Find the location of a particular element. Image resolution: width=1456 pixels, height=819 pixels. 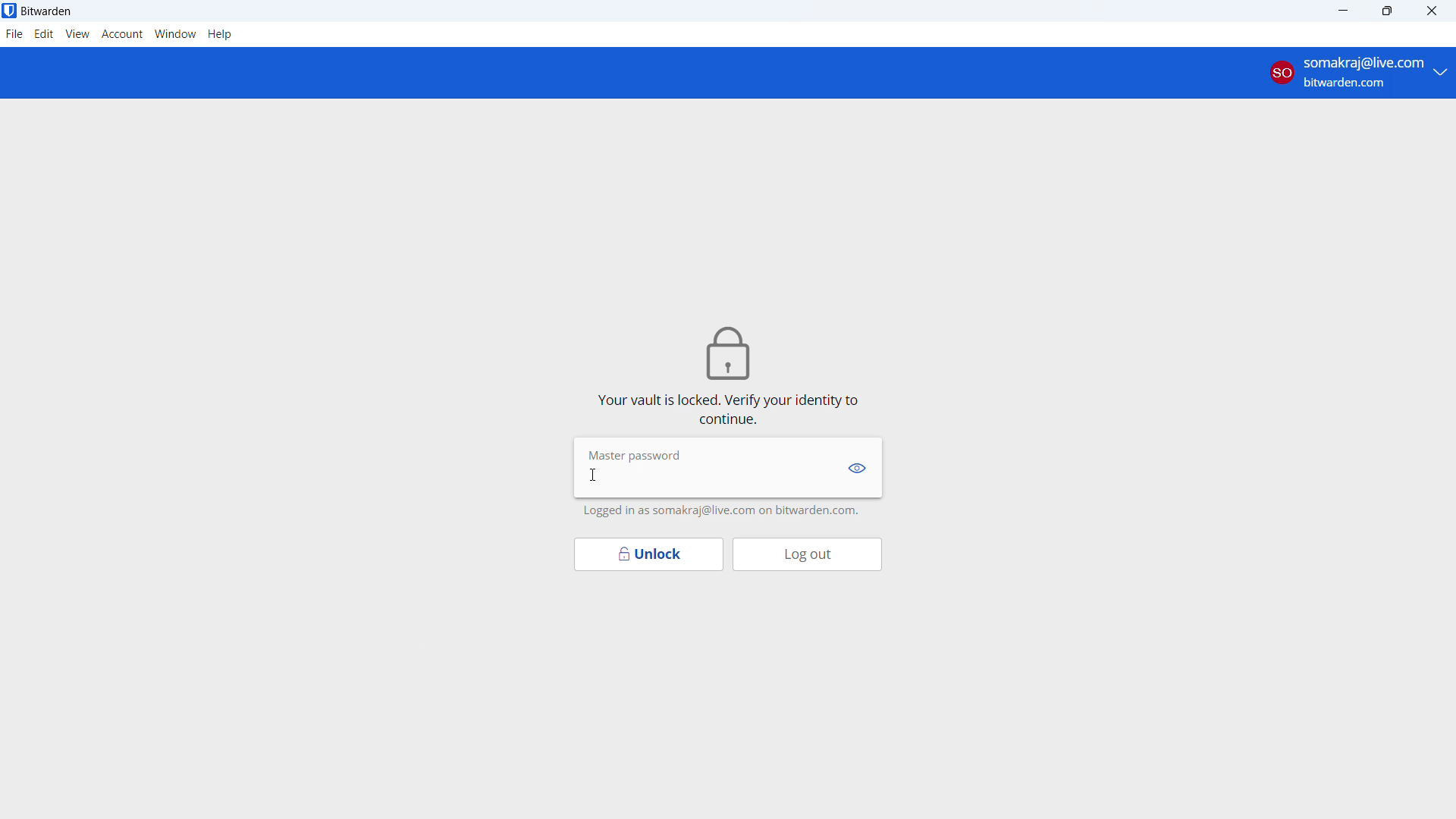

maximize is located at coordinates (1387, 11).